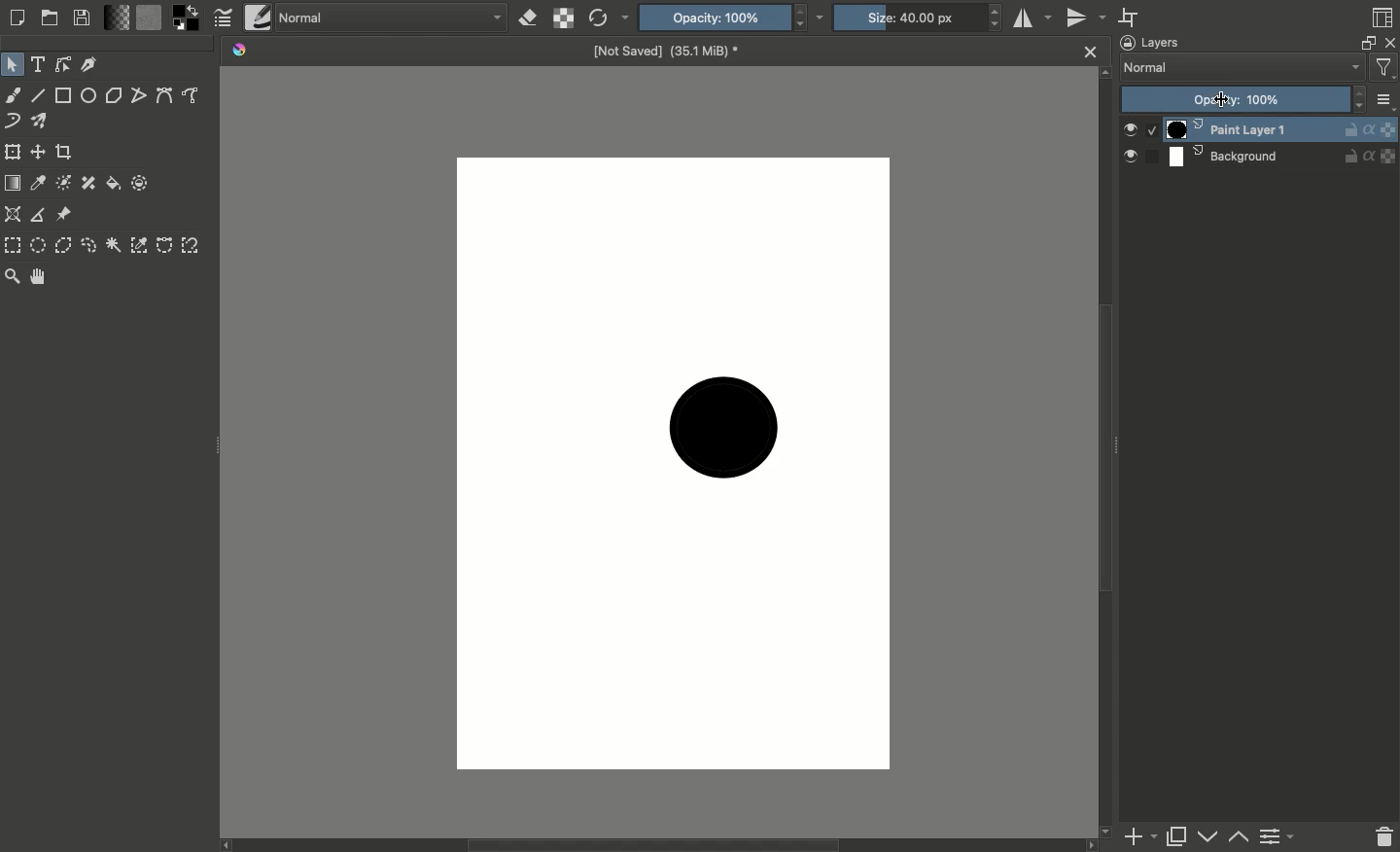 This screenshot has width=1400, height=852. I want to click on Selected, so click(1152, 132).